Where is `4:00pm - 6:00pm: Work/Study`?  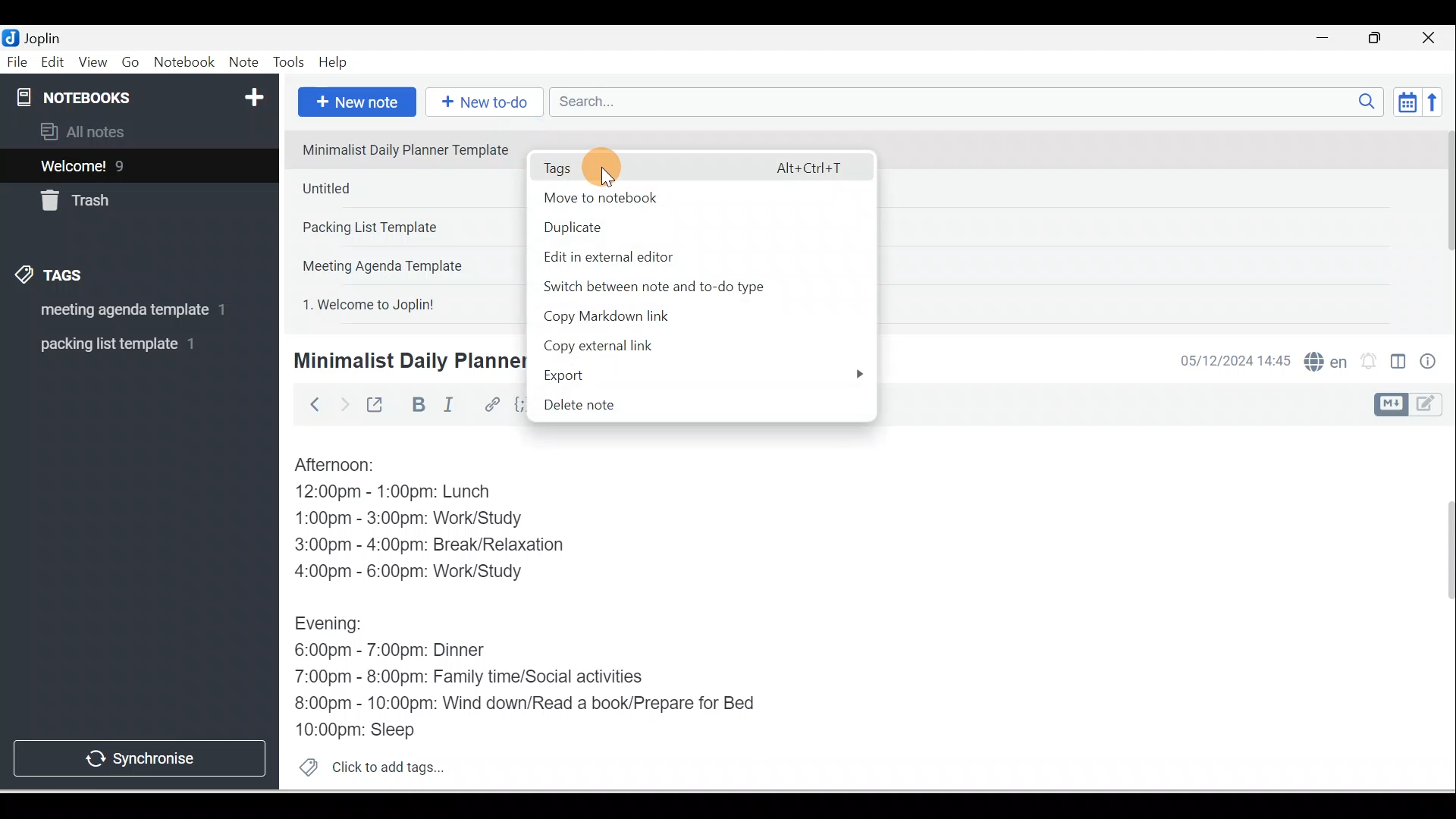 4:00pm - 6:00pm: Work/Study is located at coordinates (415, 572).